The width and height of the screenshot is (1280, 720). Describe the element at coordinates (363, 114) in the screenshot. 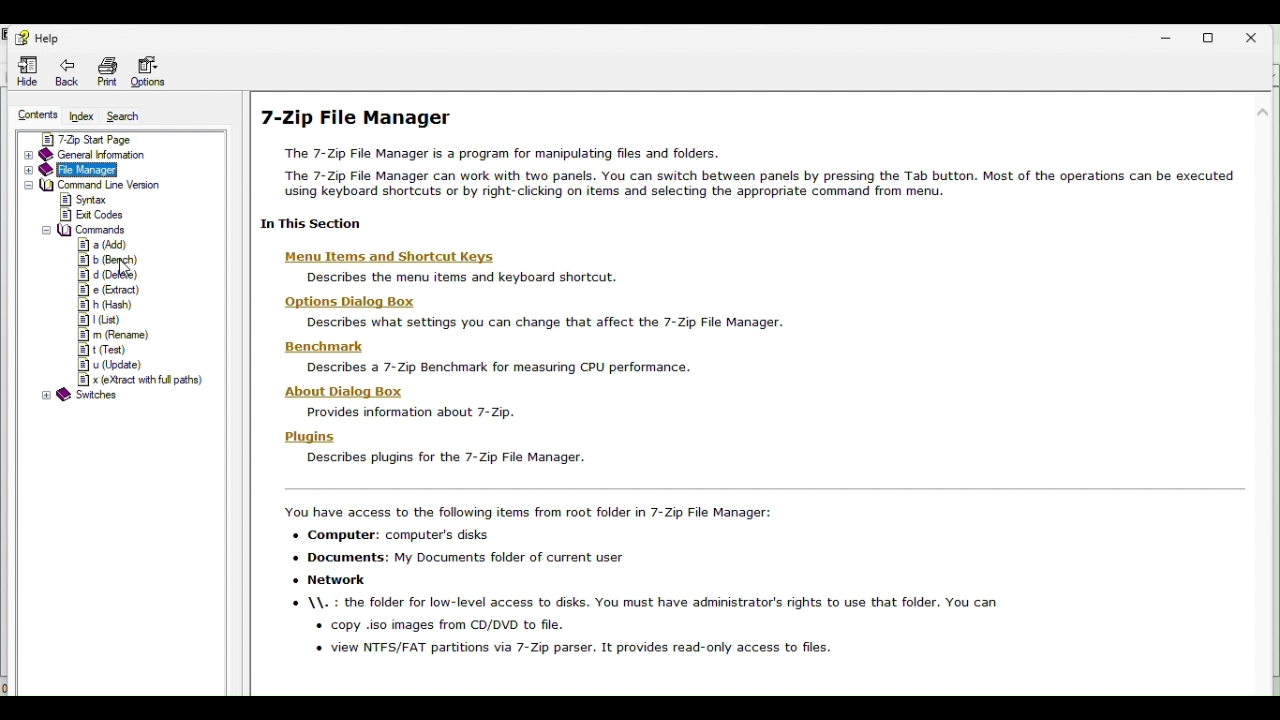

I see `7 zip file manager help` at that location.